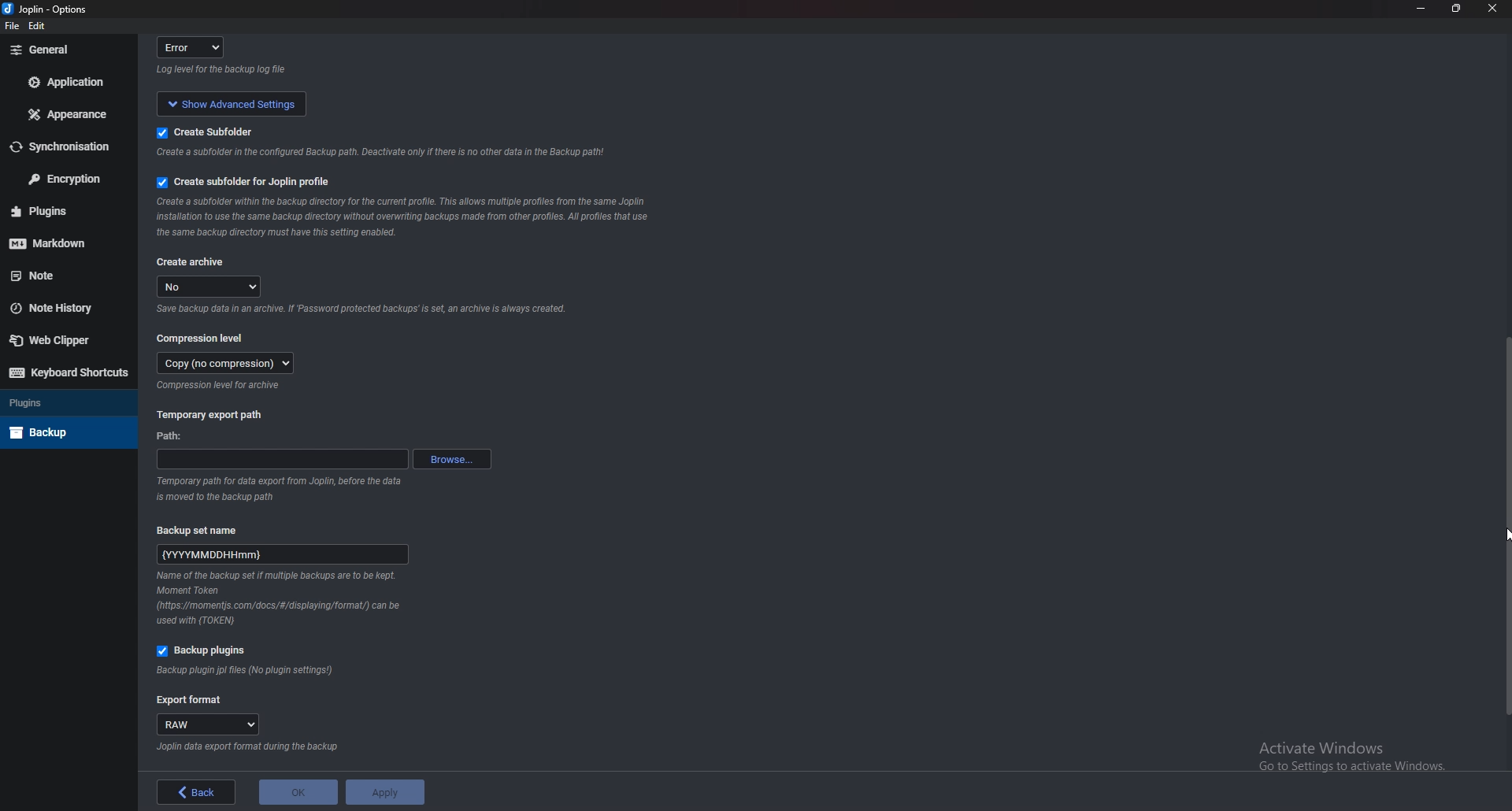 The width and height of the screenshot is (1512, 811). Describe the element at coordinates (283, 552) in the screenshot. I see `name` at that location.